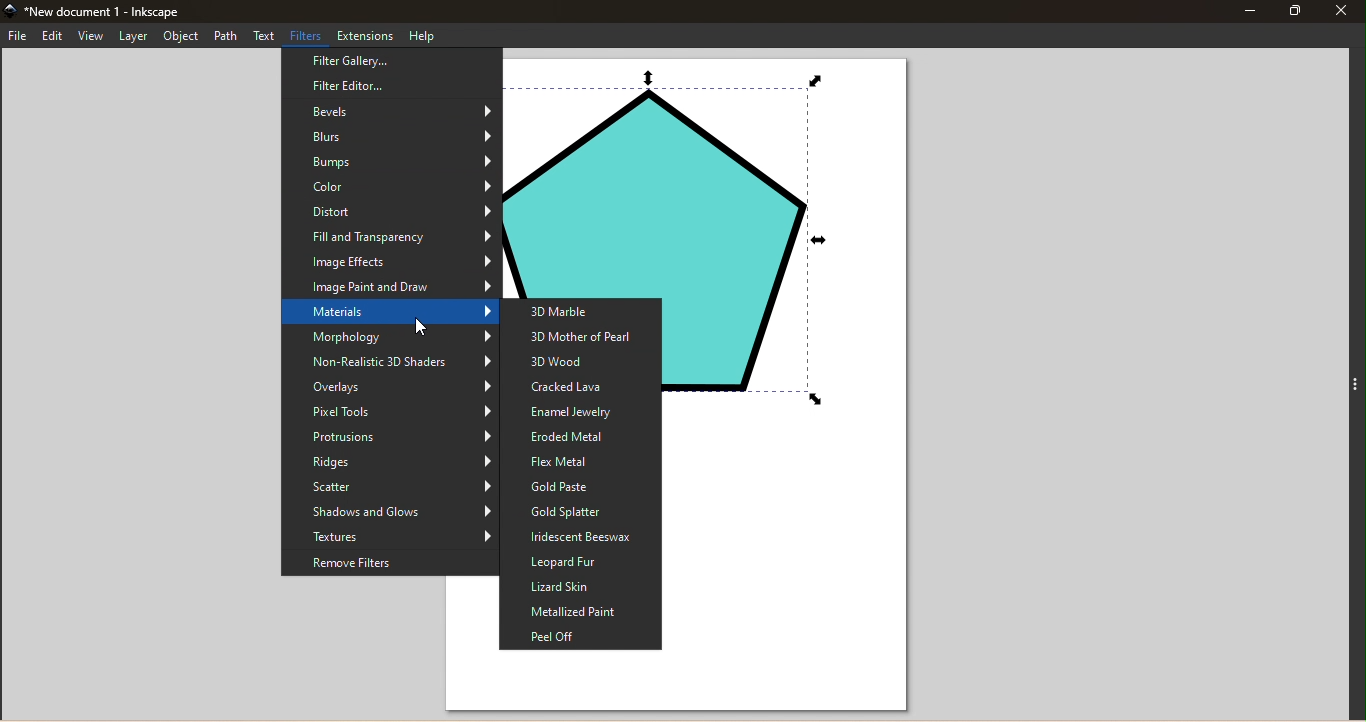  What do you see at coordinates (388, 112) in the screenshot?
I see `Bevels` at bounding box center [388, 112].